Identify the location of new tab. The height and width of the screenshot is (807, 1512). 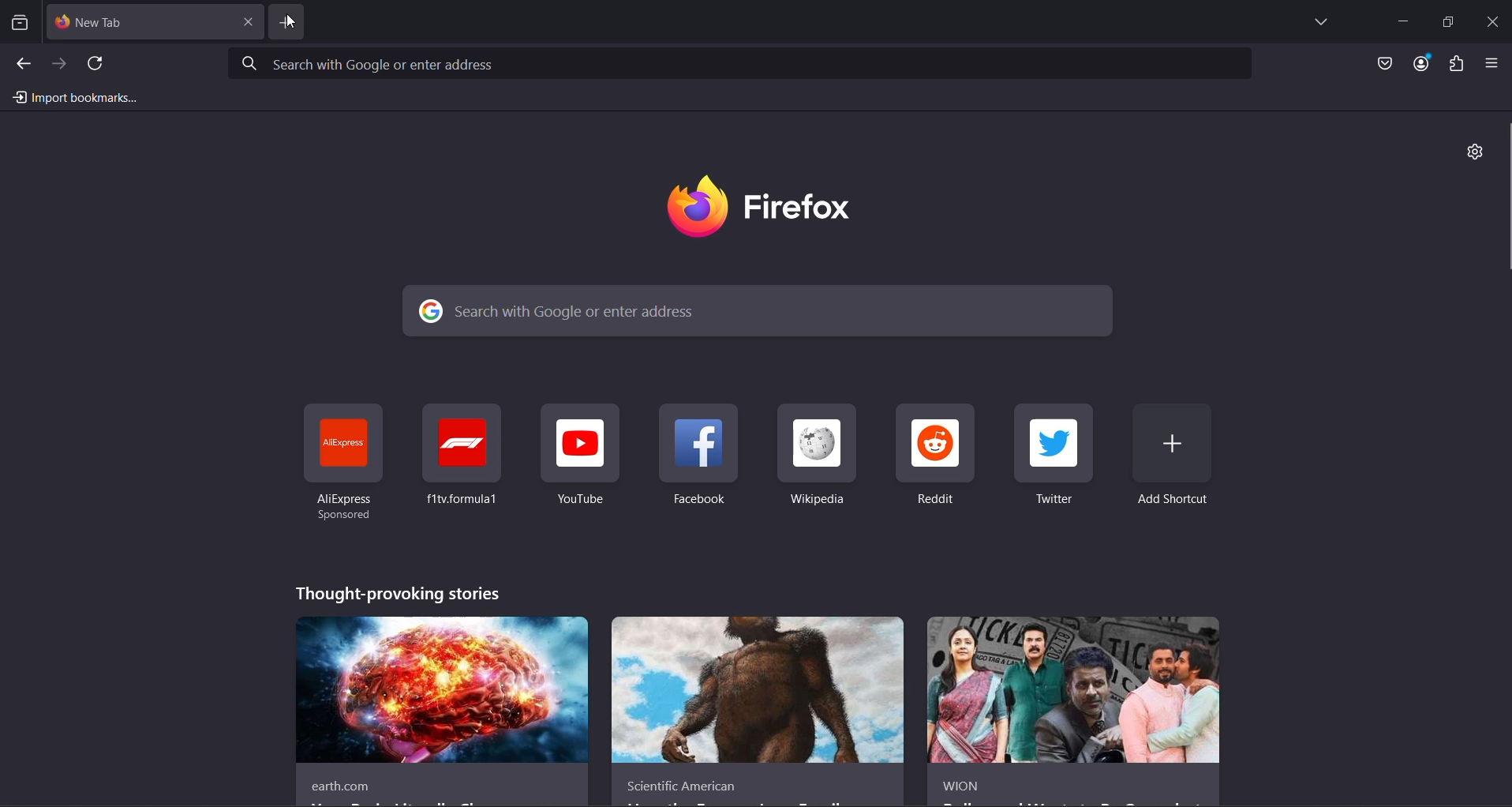
(140, 23).